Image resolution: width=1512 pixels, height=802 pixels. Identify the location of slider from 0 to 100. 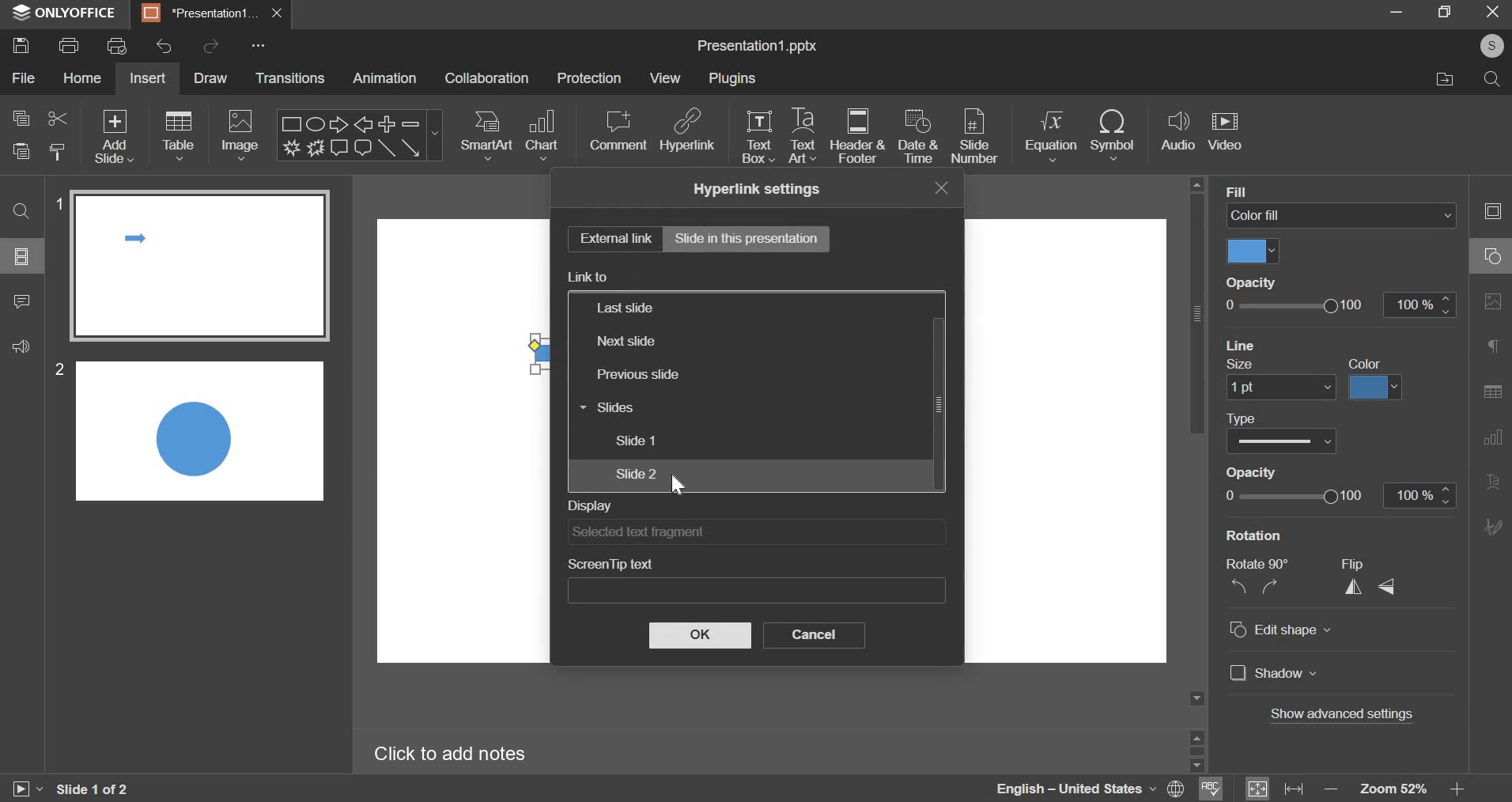
(1298, 496).